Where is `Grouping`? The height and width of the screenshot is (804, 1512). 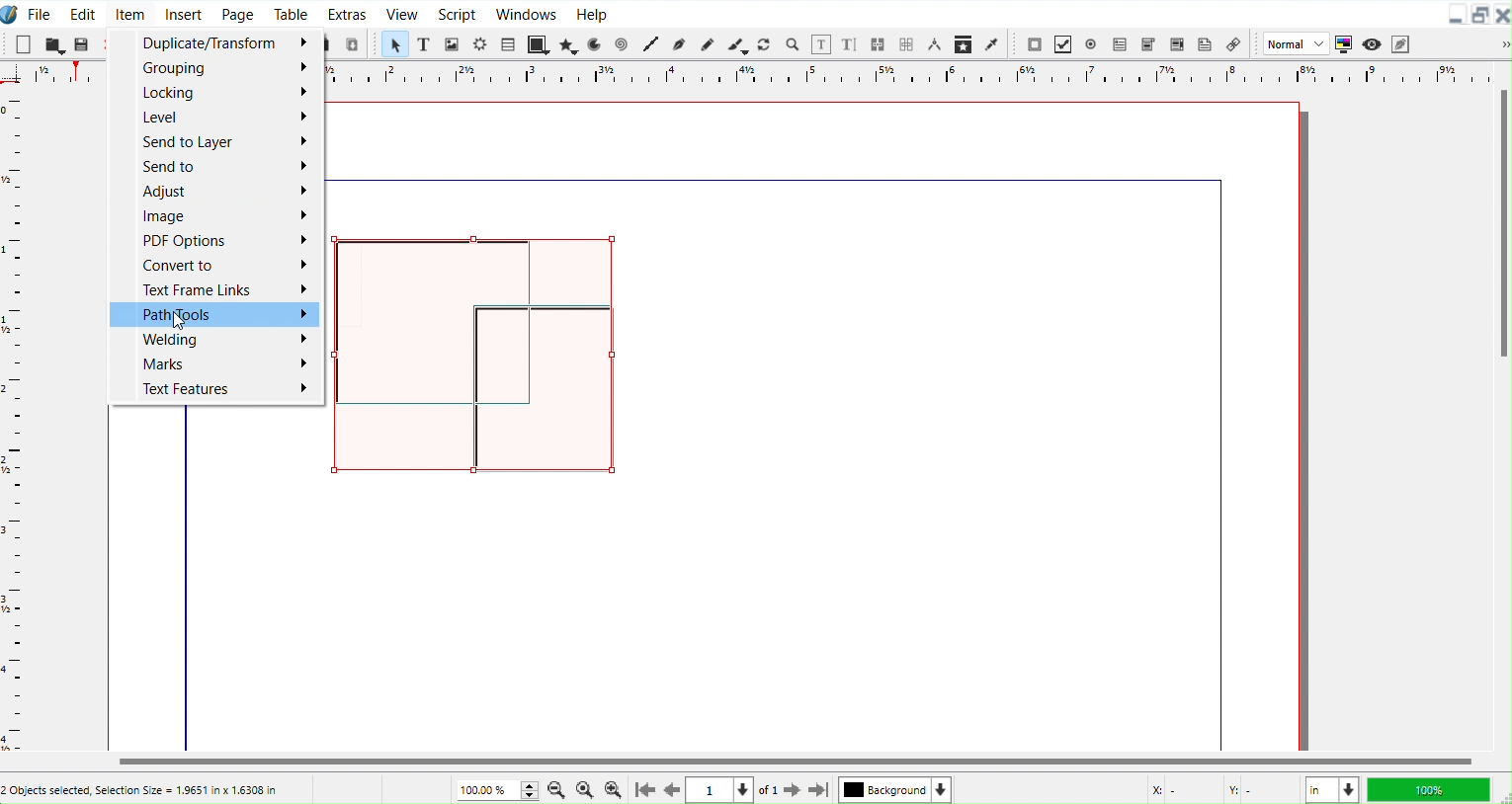 Grouping is located at coordinates (214, 68).